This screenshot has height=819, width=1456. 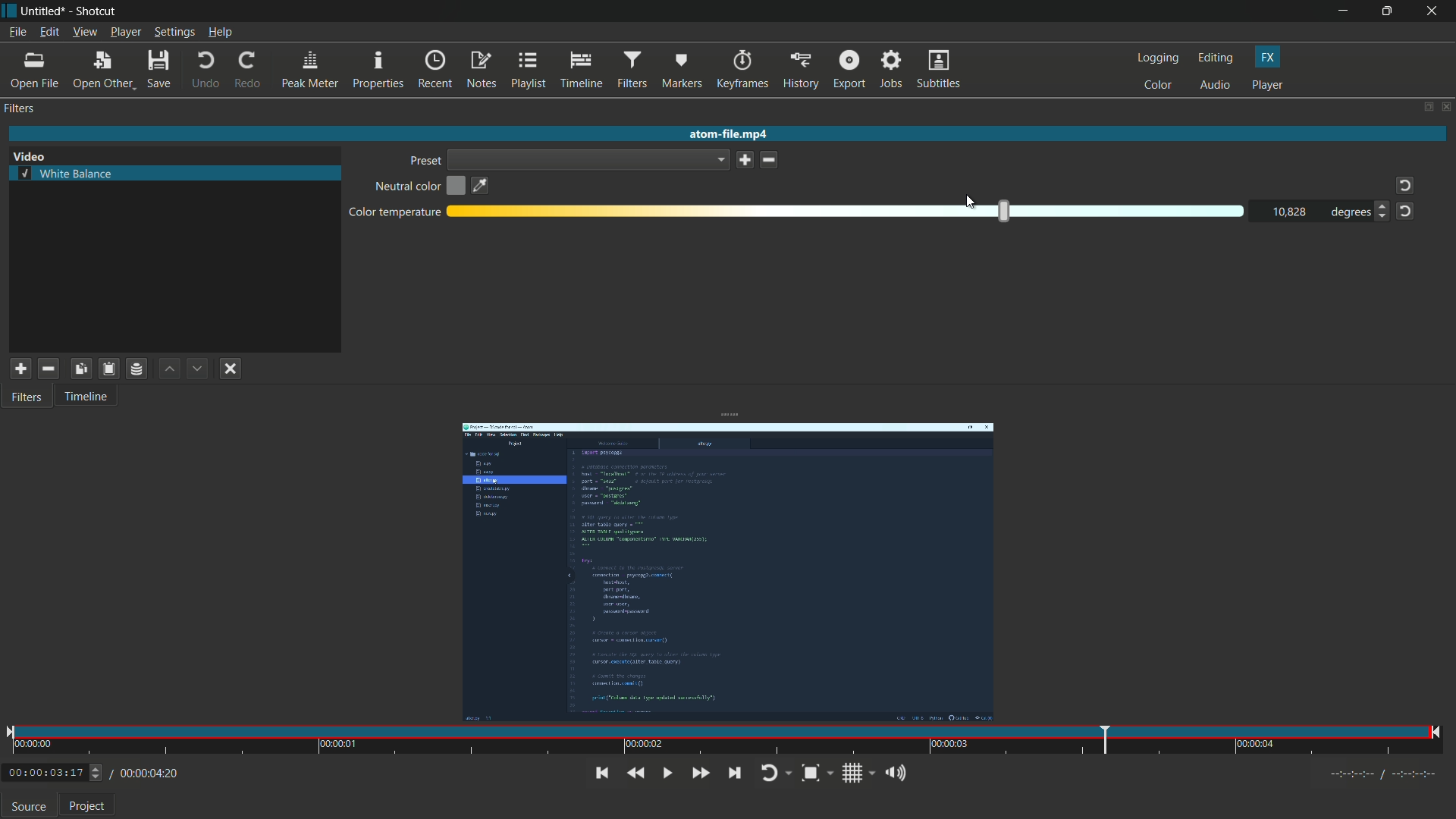 I want to click on minimize, so click(x=1343, y=11).